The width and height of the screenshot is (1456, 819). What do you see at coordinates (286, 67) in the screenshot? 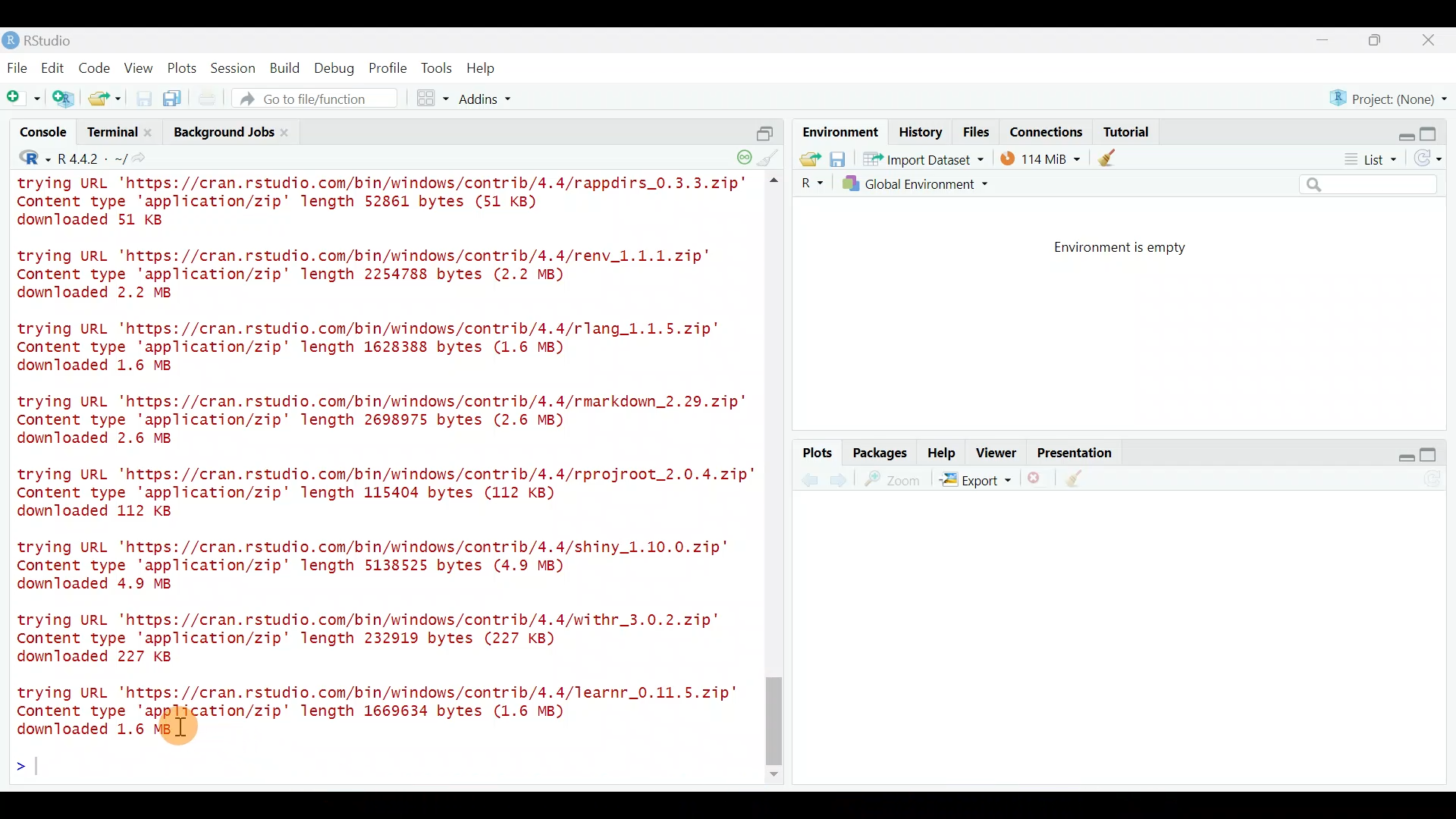
I see `Build` at bounding box center [286, 67].